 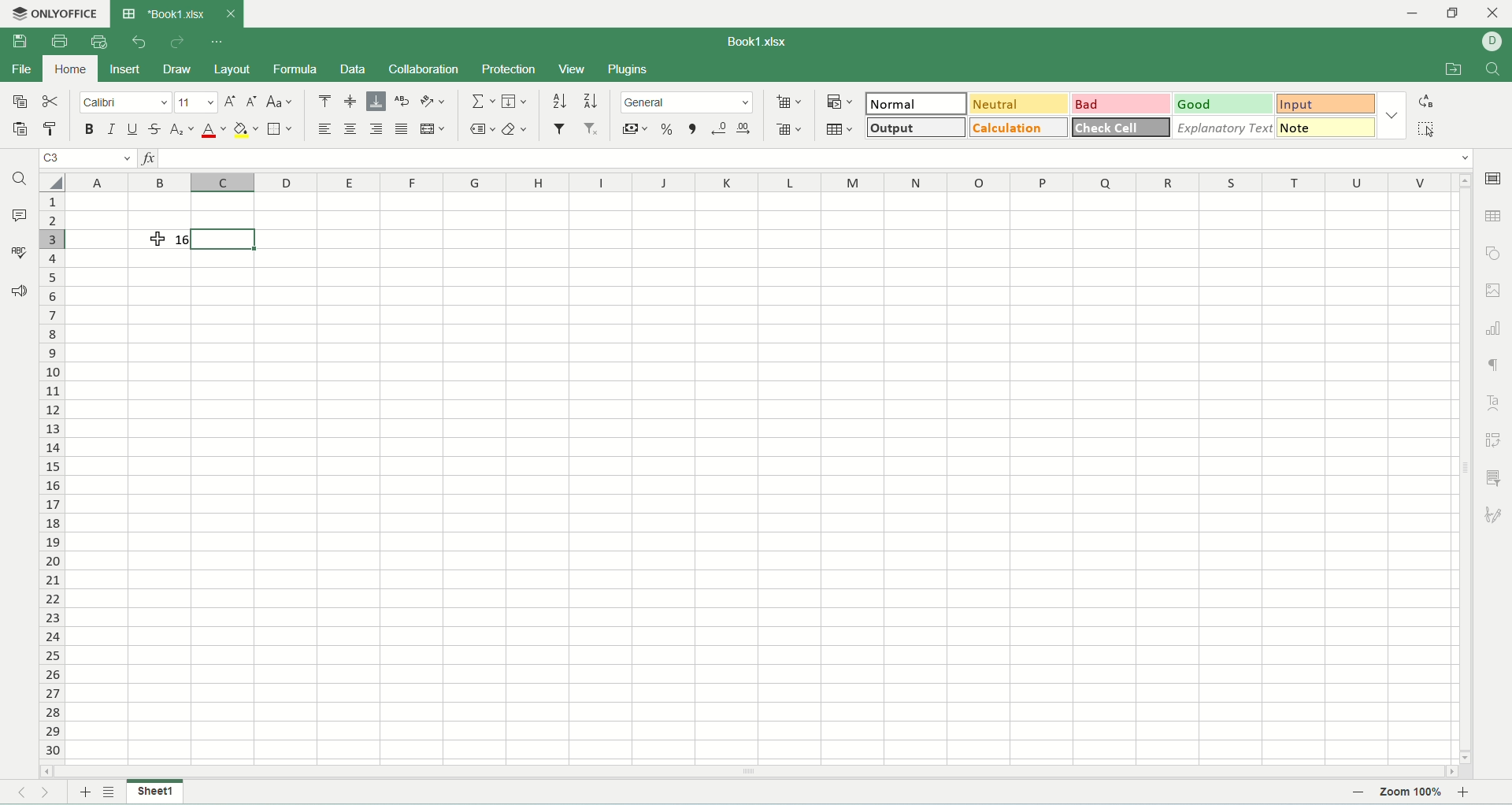 What do you see at coordinates (59, 40) in the screenshot?
I see `print` at bounding box center [59, 40].